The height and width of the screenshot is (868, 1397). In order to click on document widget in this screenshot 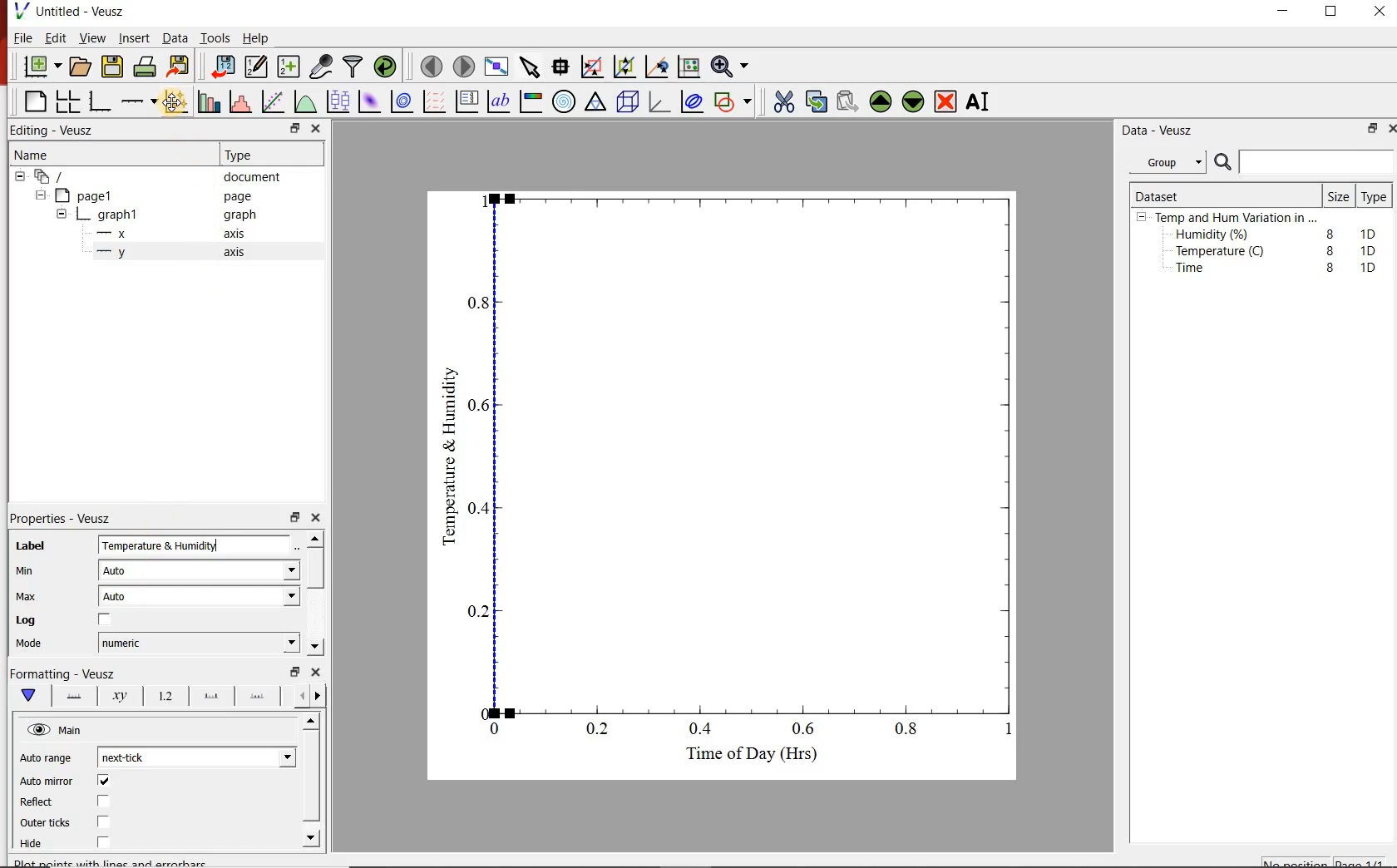, I will do `click(59, 177)`.